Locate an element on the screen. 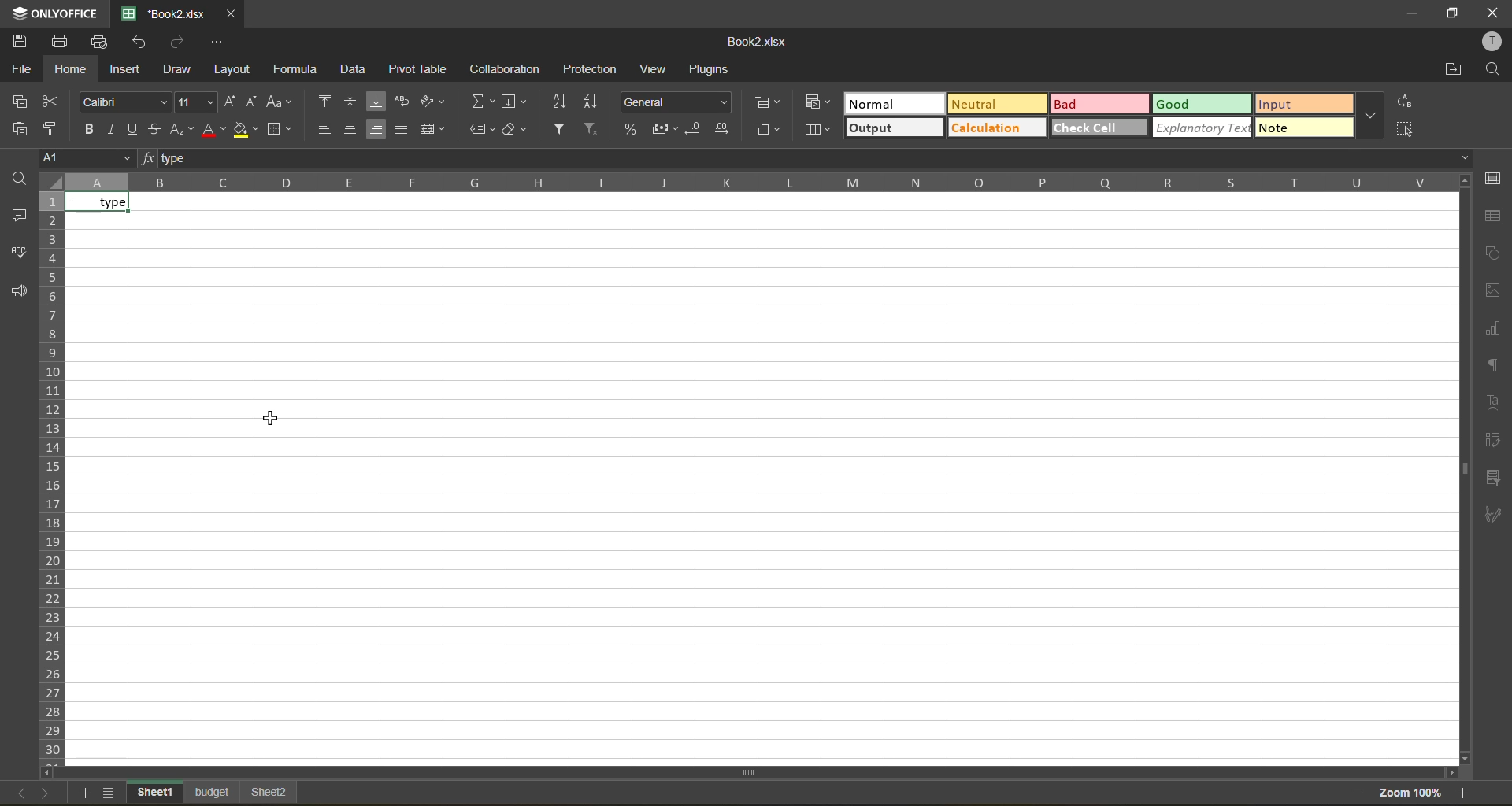 The width and height of the screenshot is (1512, 806). font size is located at coordinates (194, 102).